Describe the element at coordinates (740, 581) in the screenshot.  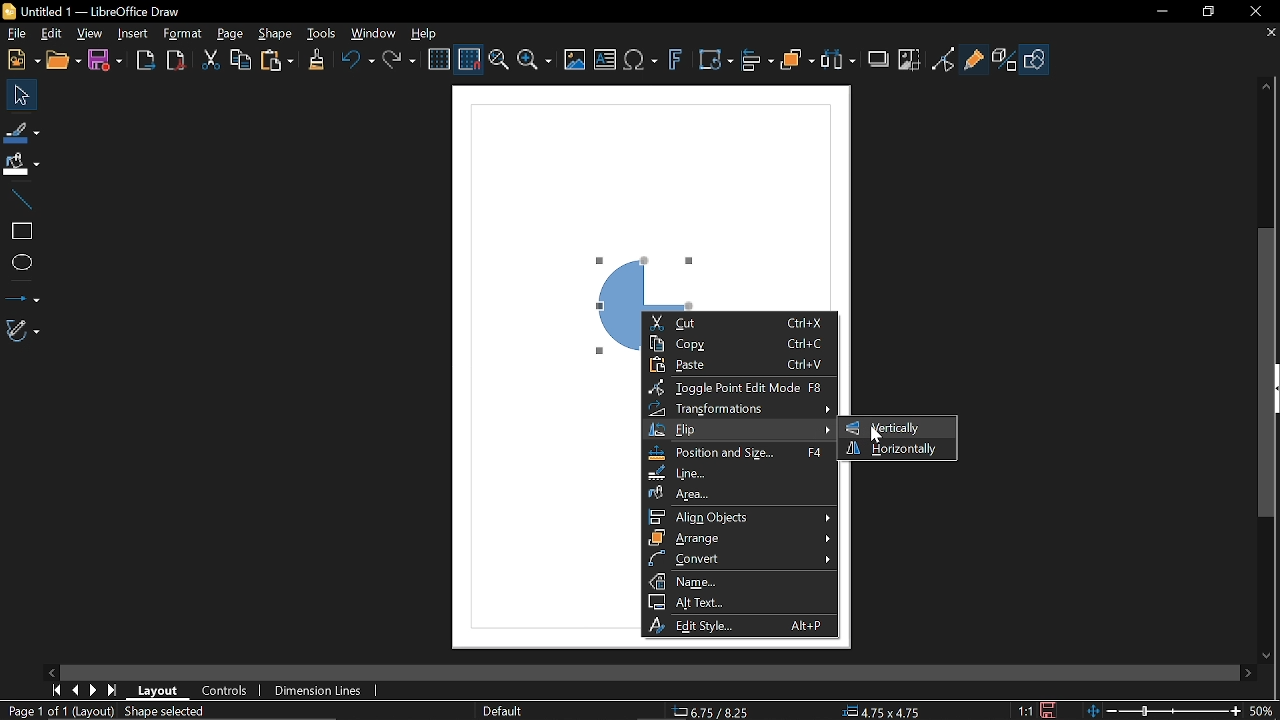
I see `Name` at that location.